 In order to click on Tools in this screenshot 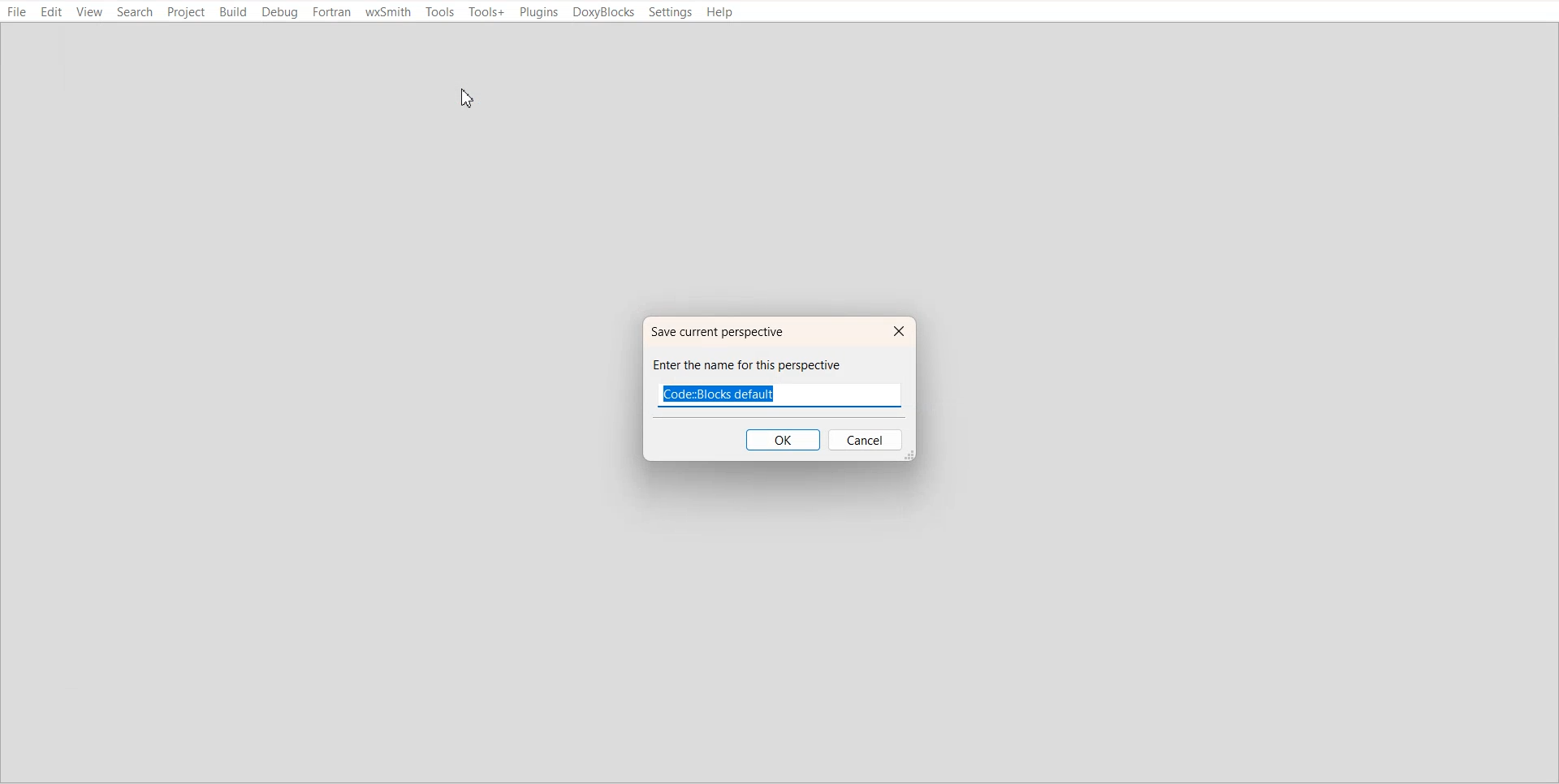, I will do `click(438, 12)`.